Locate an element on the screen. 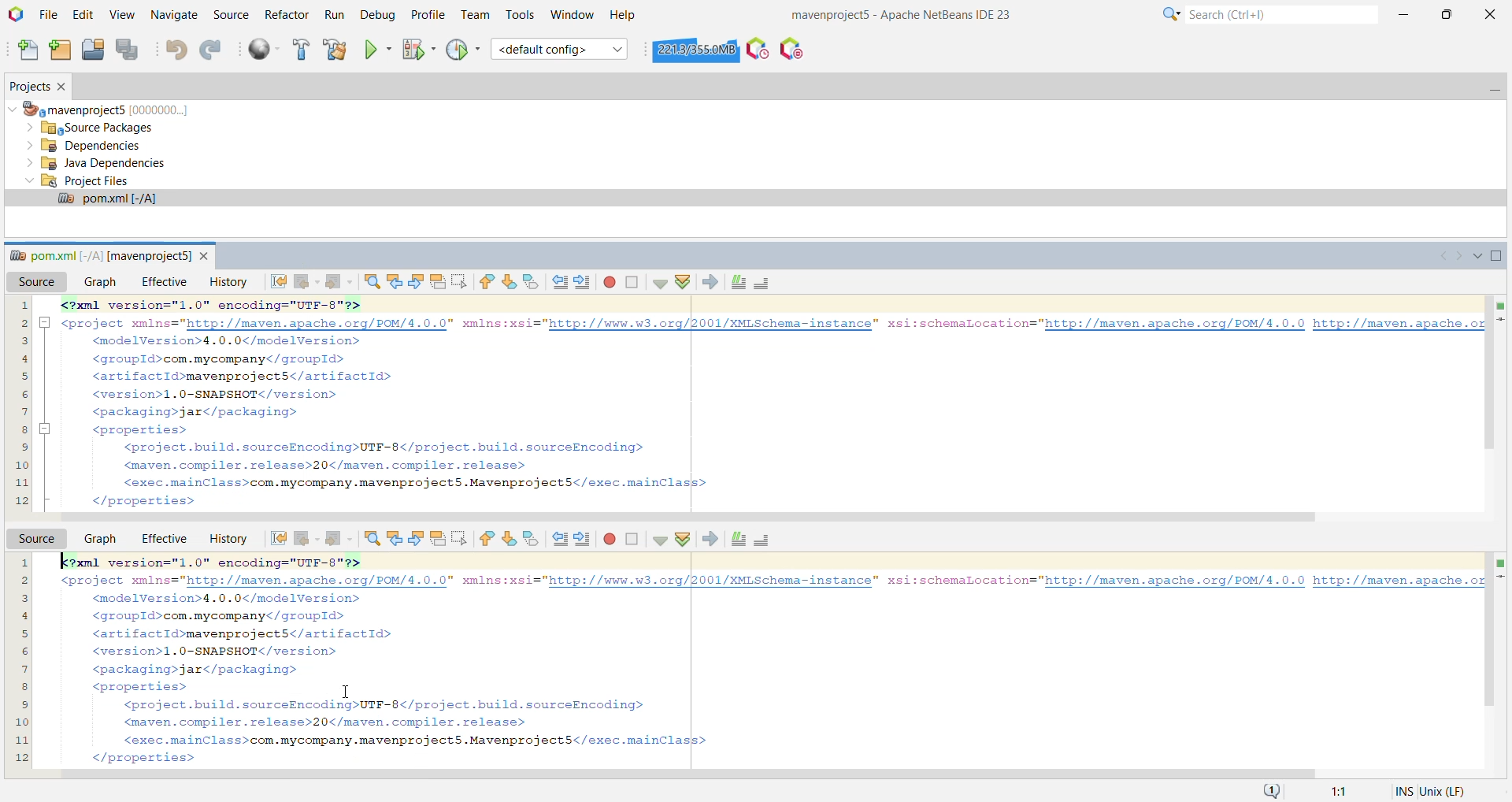  Previous bookmark is located at coordinates (487, 282).